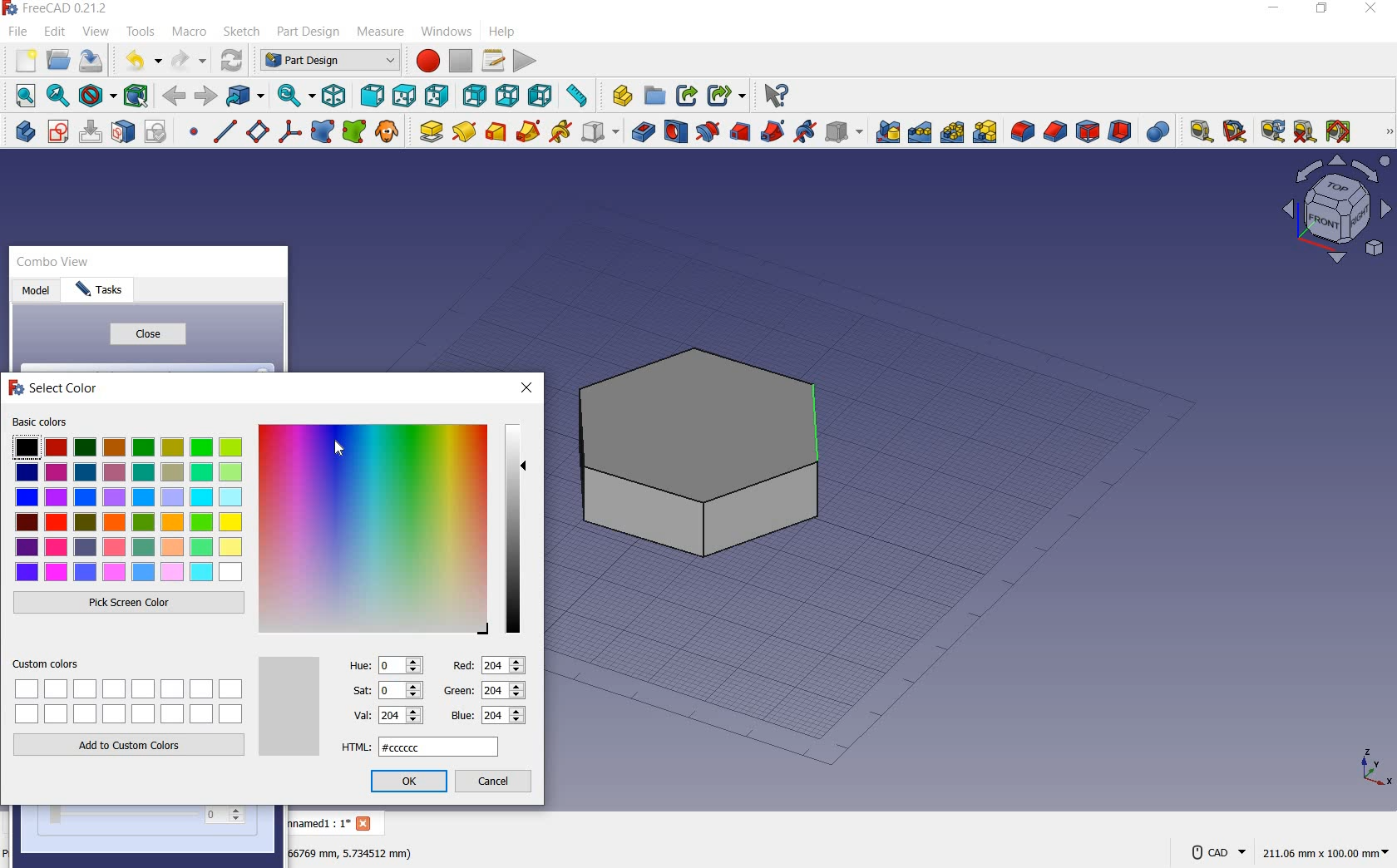 Image resolution: width=1397 pixels, height=868 pixels. Describe the element at coordinates (486, 716) in the screenshot. I see `Blue: 204` at that location.